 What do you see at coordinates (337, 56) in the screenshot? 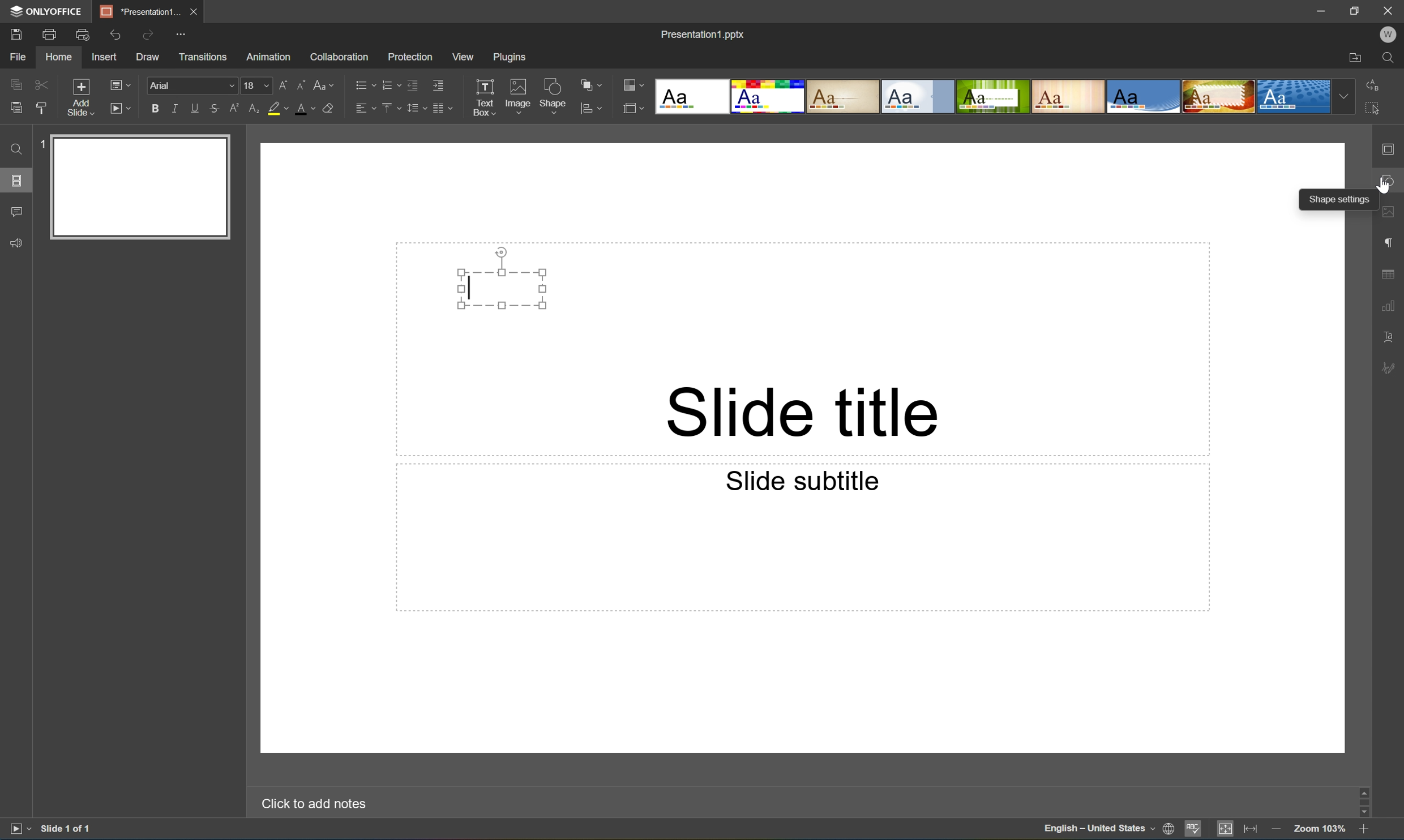
I see `Collaboration` at bounding box center [337, 56].